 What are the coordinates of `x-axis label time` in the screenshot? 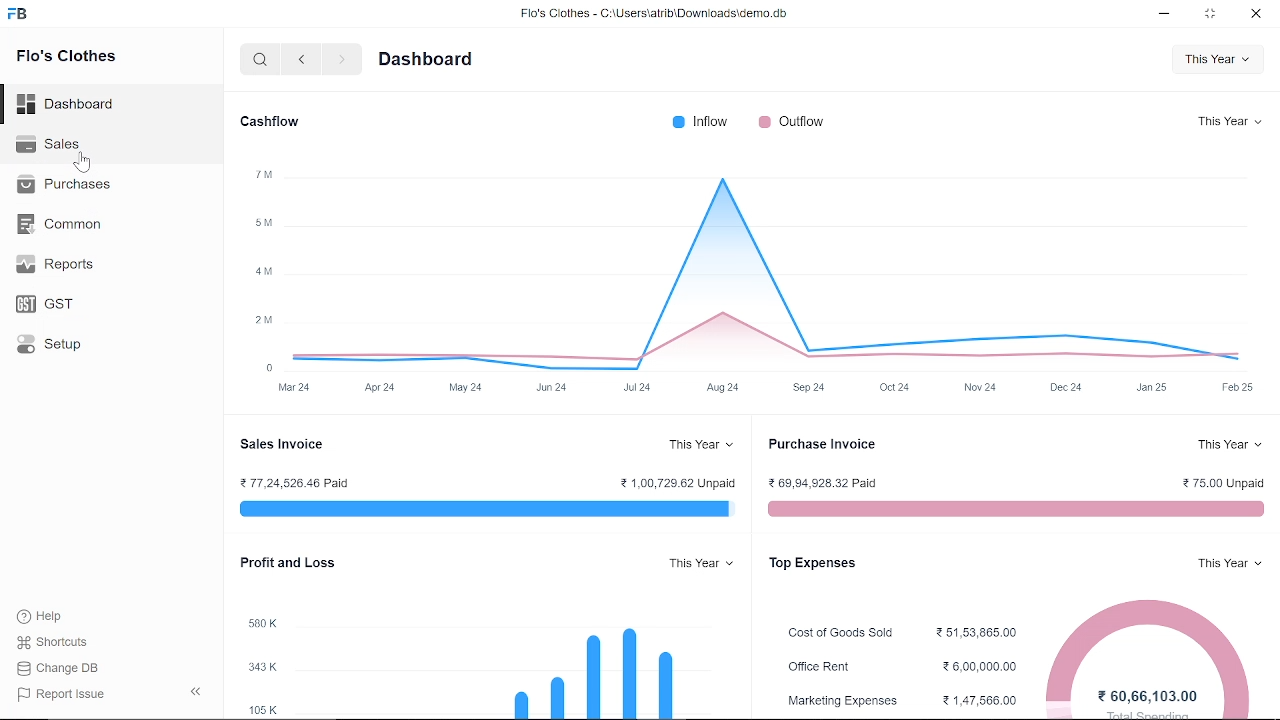 It's located at (770, 389).